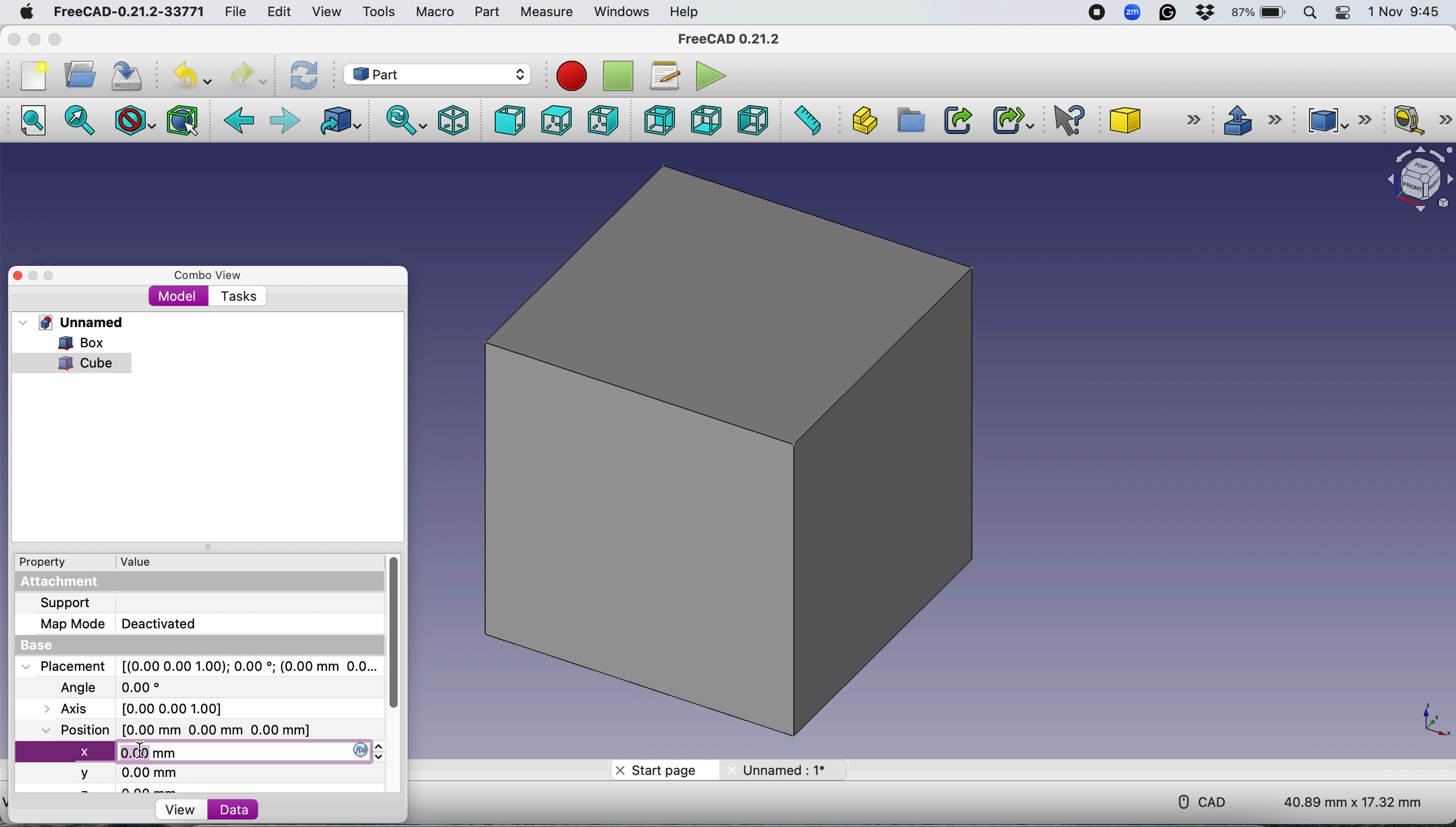 This screenshot has width=1456, height=827. I want to click on What's this?, so click(1071, 120).